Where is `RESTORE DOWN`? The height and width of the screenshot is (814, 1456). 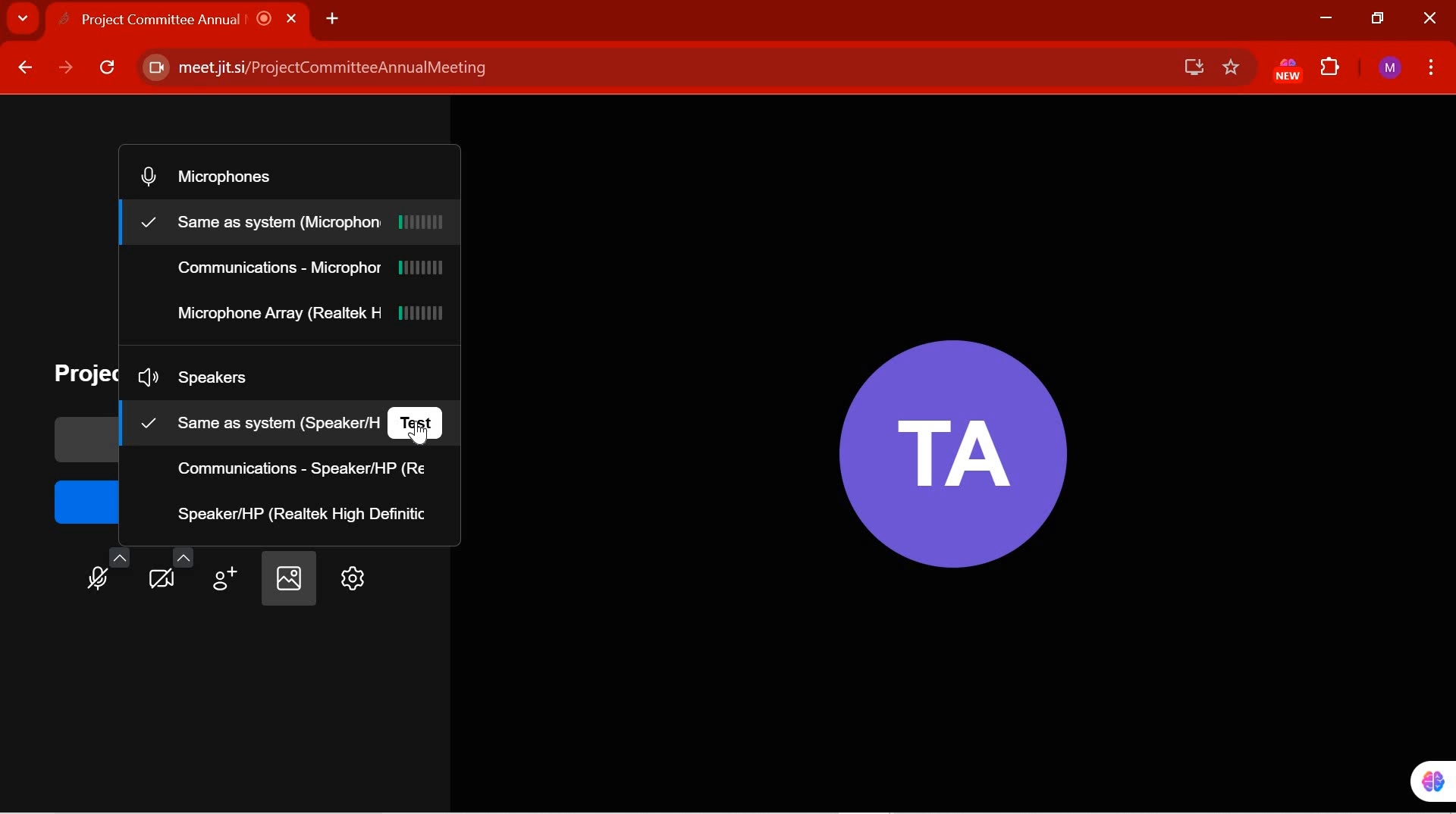
RESTORE DOWN is located at coordinates (1379, 19).